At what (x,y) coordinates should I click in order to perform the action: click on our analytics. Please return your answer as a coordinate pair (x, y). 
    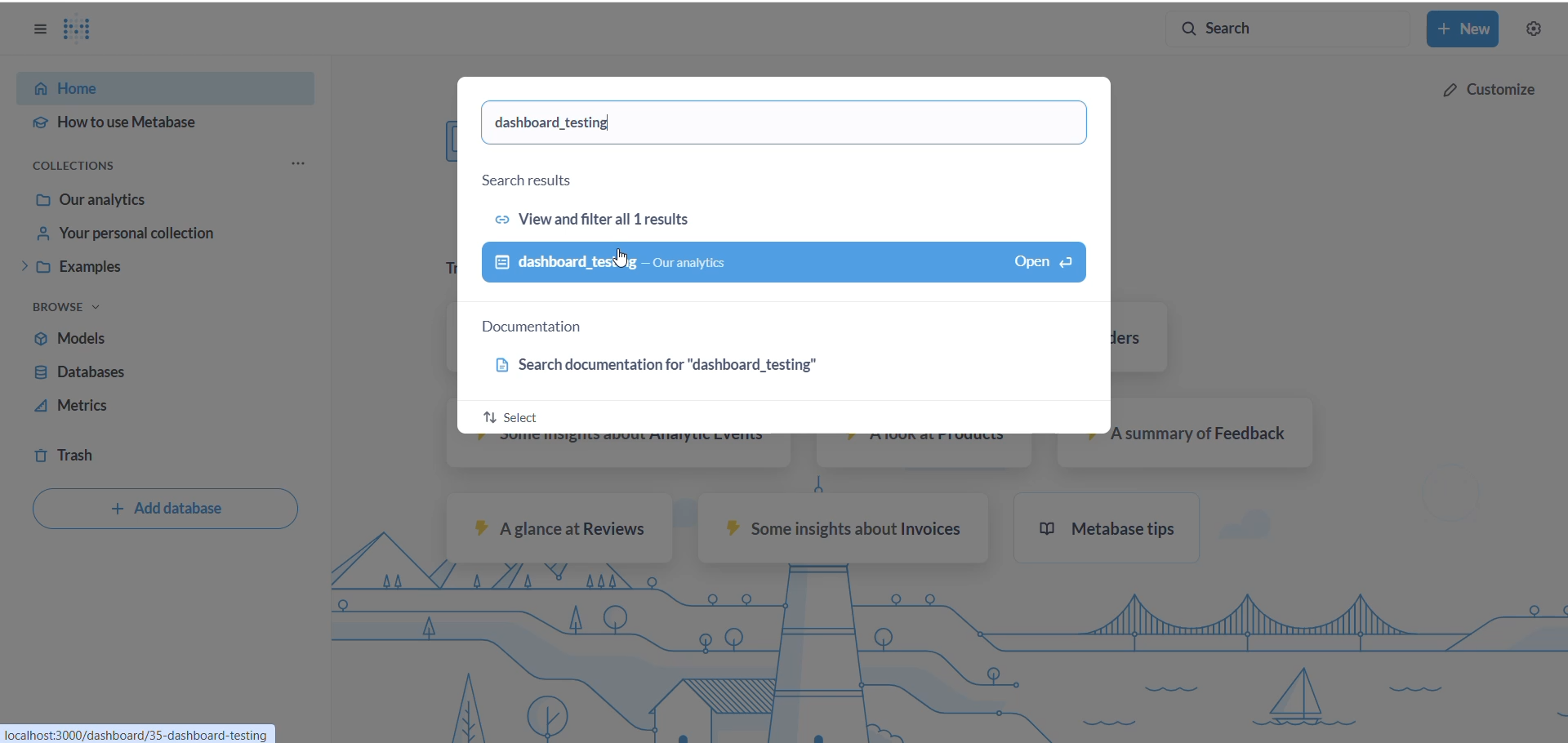
    Looking at the image, I should click on (163, 202).